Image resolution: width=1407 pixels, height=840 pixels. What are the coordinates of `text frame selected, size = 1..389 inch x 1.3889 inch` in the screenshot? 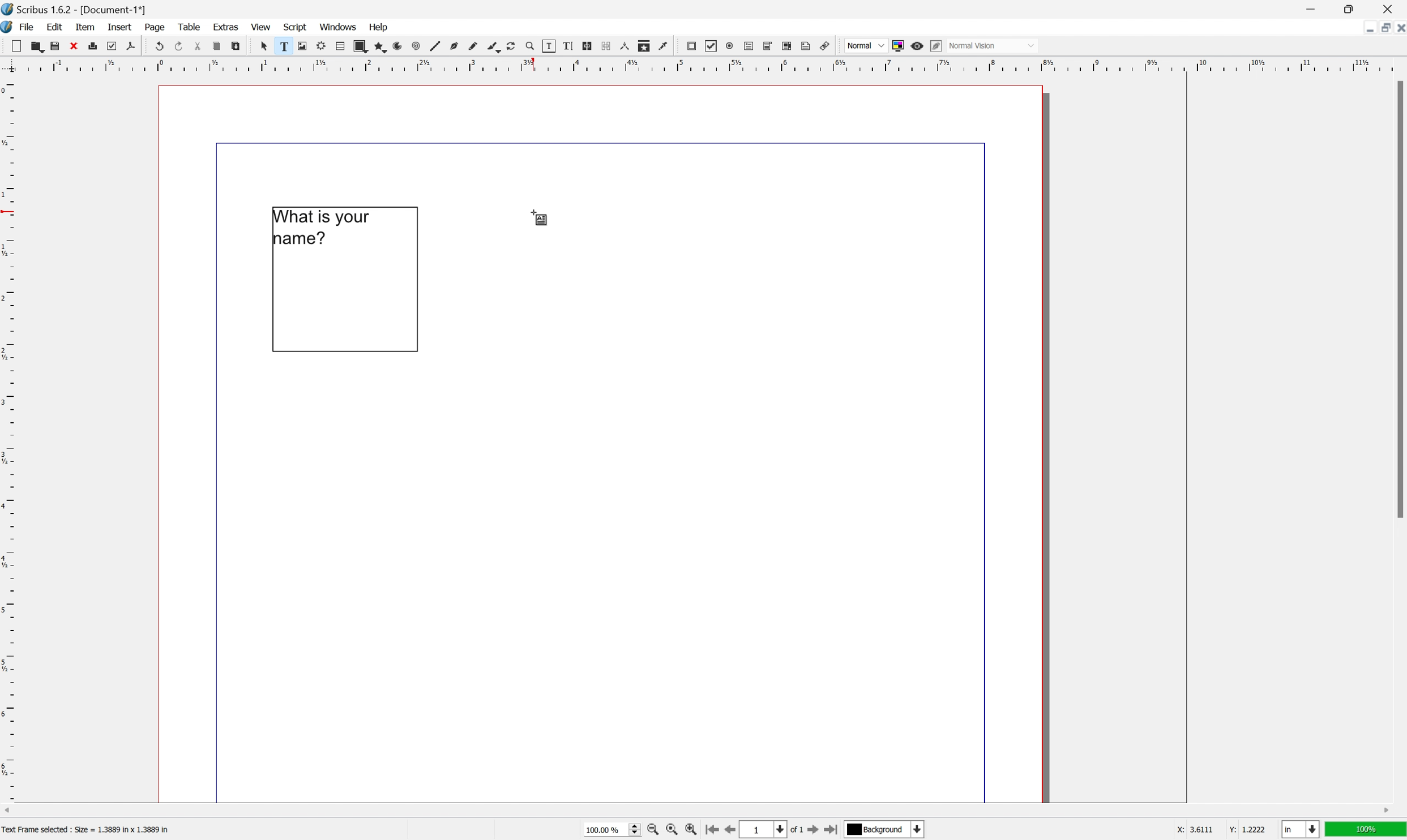 It's located at (94, 830).